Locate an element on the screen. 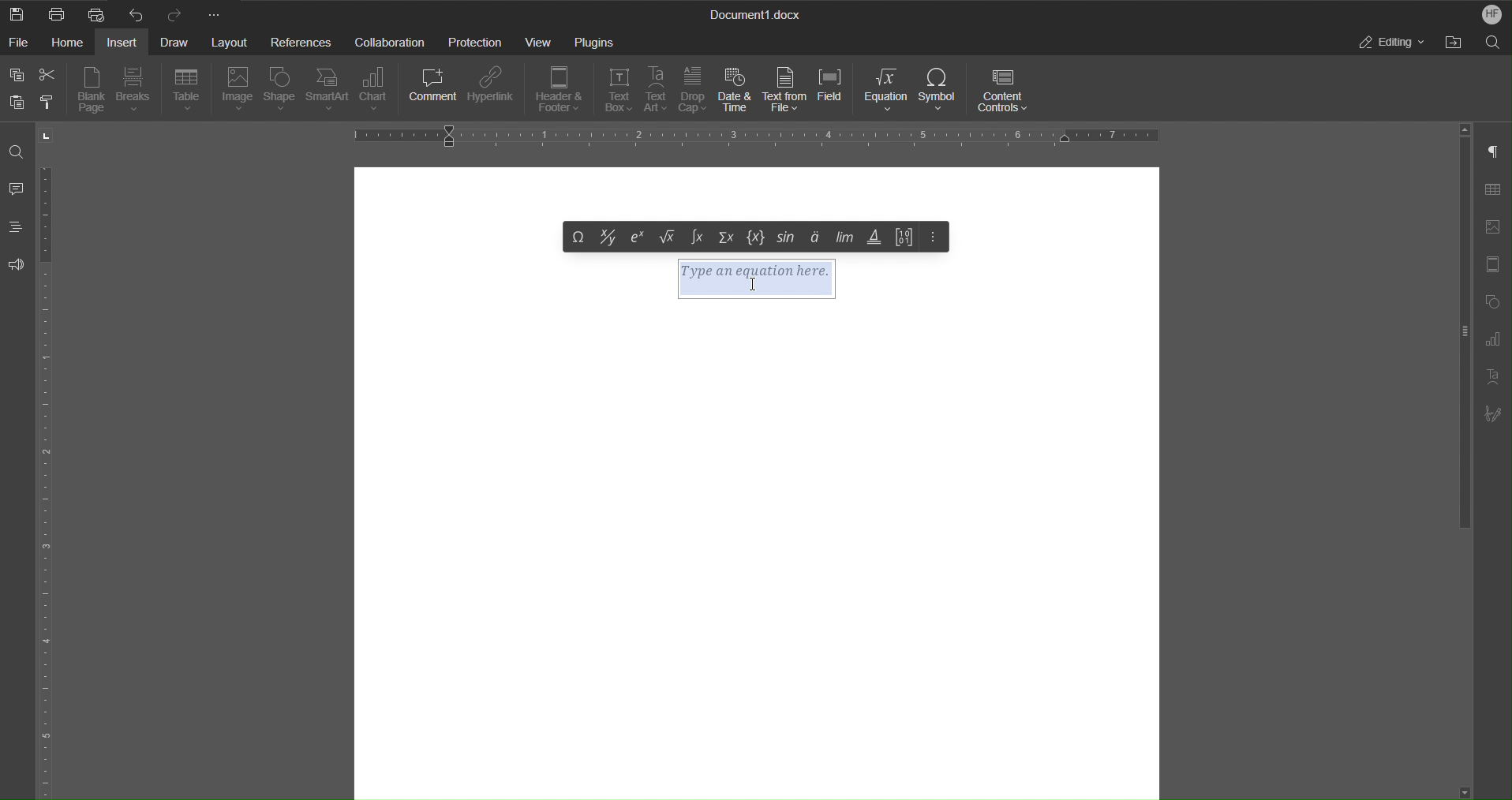 The height and width of the screenshot is (800, 1512). Protection is located at coordinates (478, 41).